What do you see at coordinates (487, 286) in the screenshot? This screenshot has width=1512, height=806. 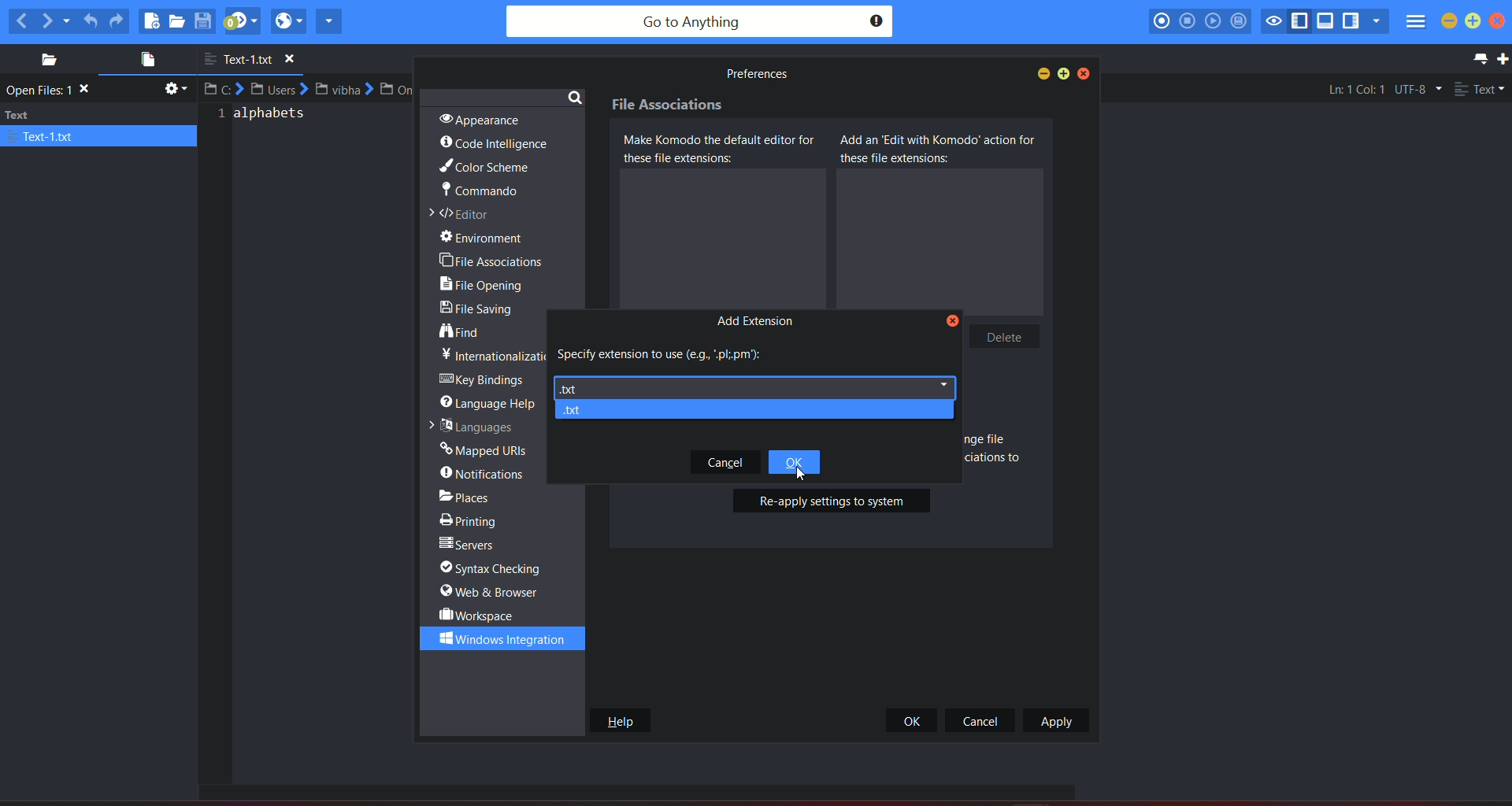 I see `file opening` at bounding box center [487, 286].